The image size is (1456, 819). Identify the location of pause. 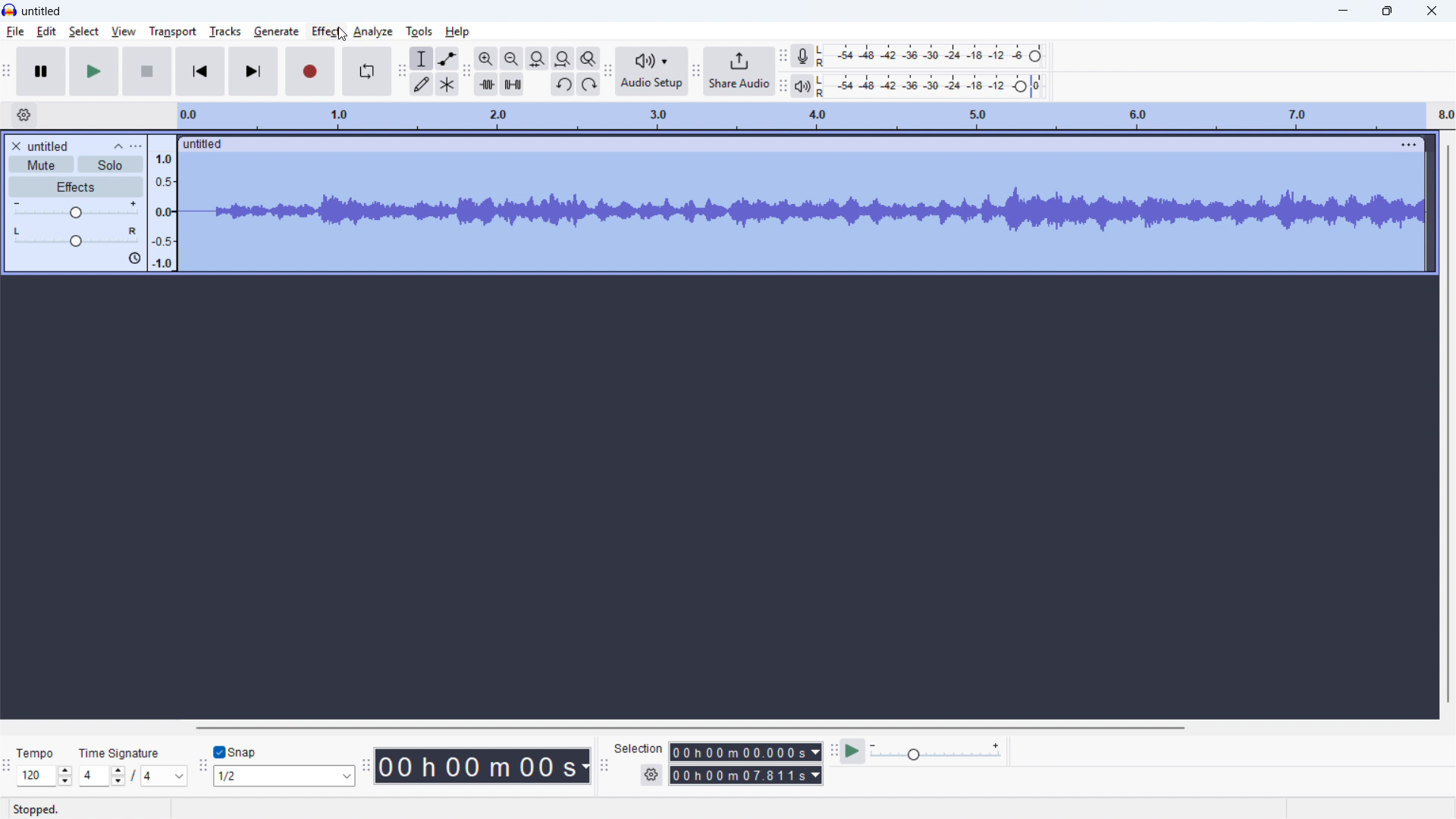
(42, 71).